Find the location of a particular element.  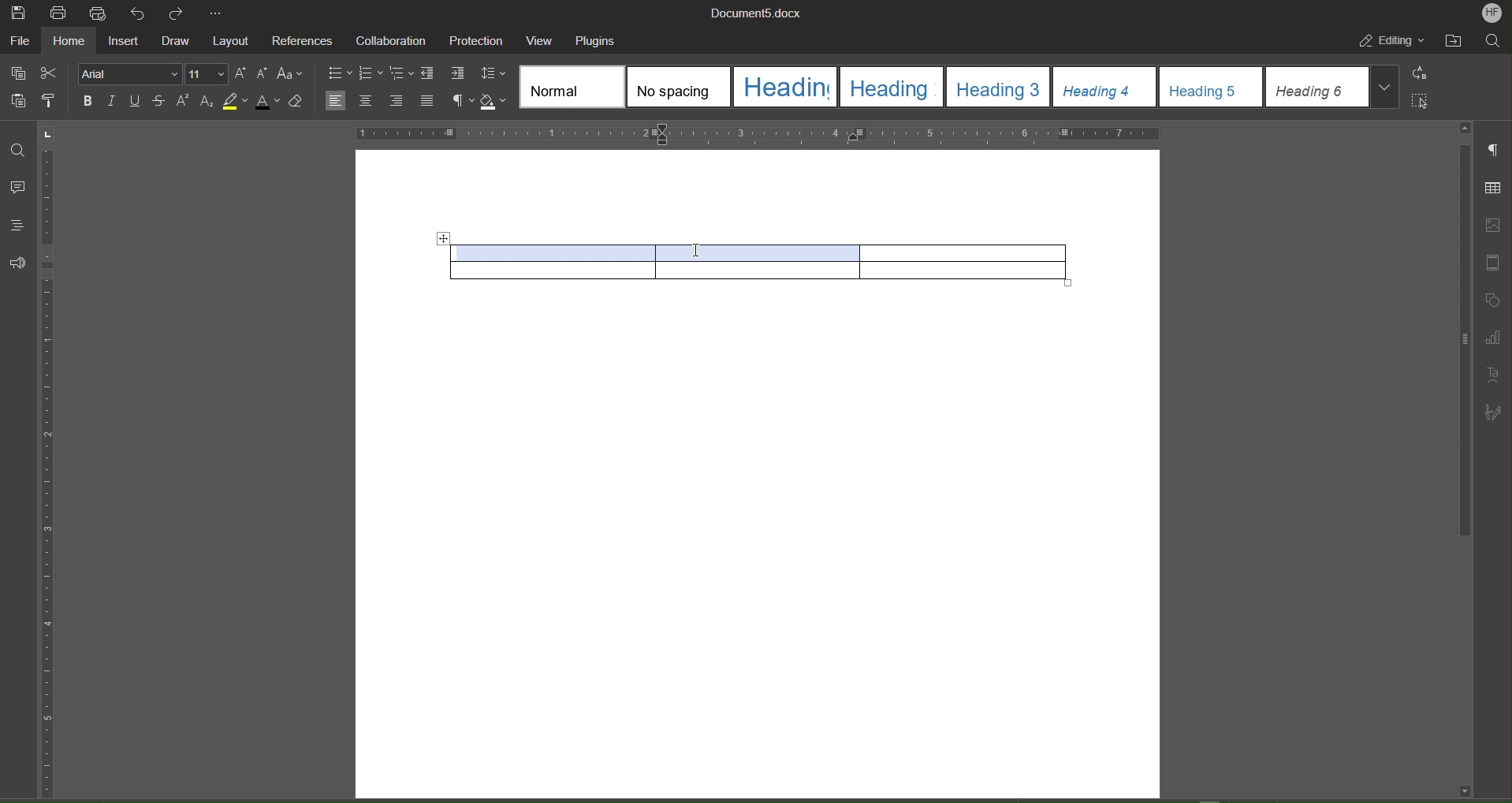

heading 4 is located at coordinates (1105, 87).